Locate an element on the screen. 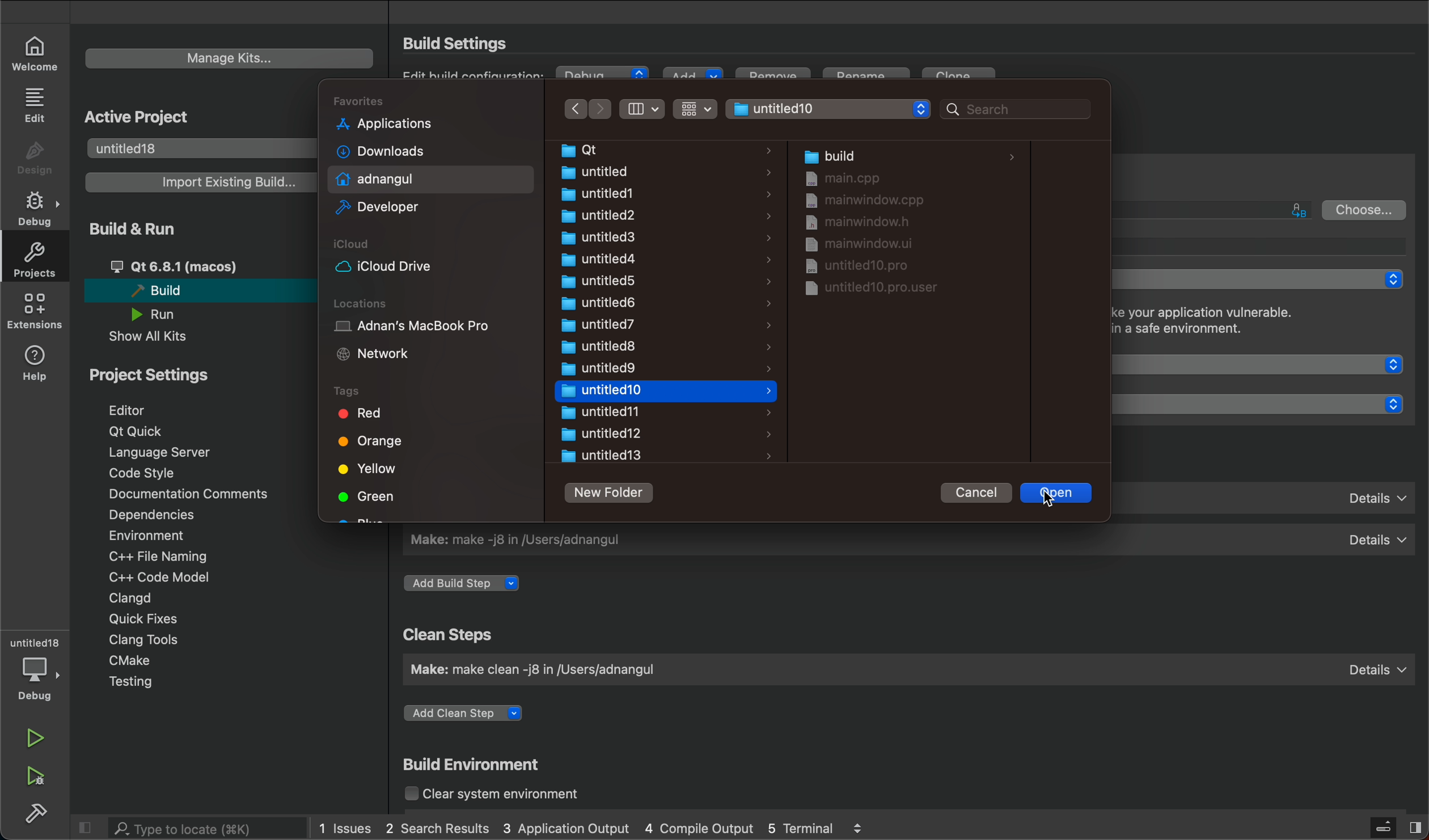 This screenshot has width=1429, height=840. editor is located at coordinates (141, 409).